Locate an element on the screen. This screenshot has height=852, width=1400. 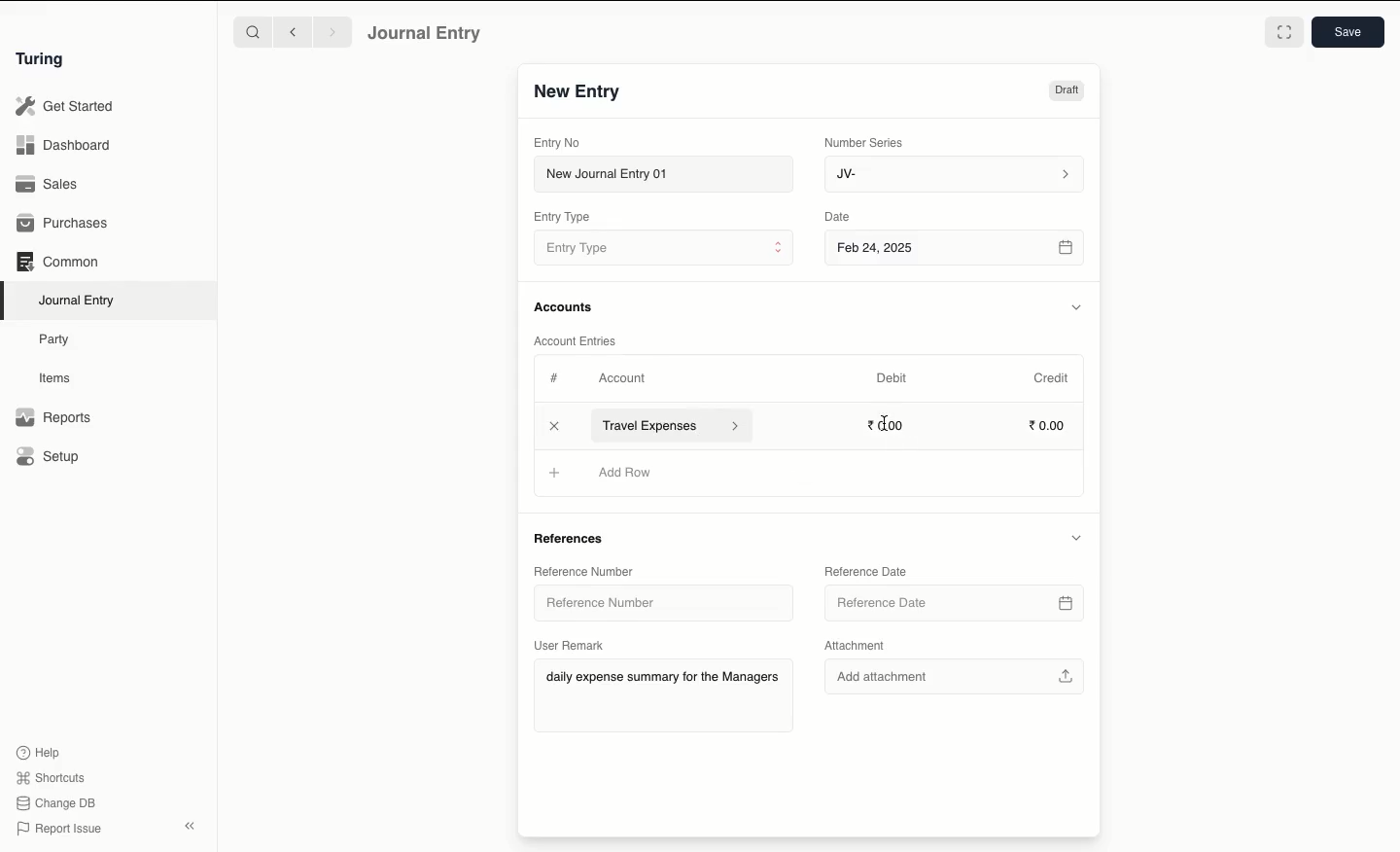
Journal Entry is located at coordinates (78, 302).